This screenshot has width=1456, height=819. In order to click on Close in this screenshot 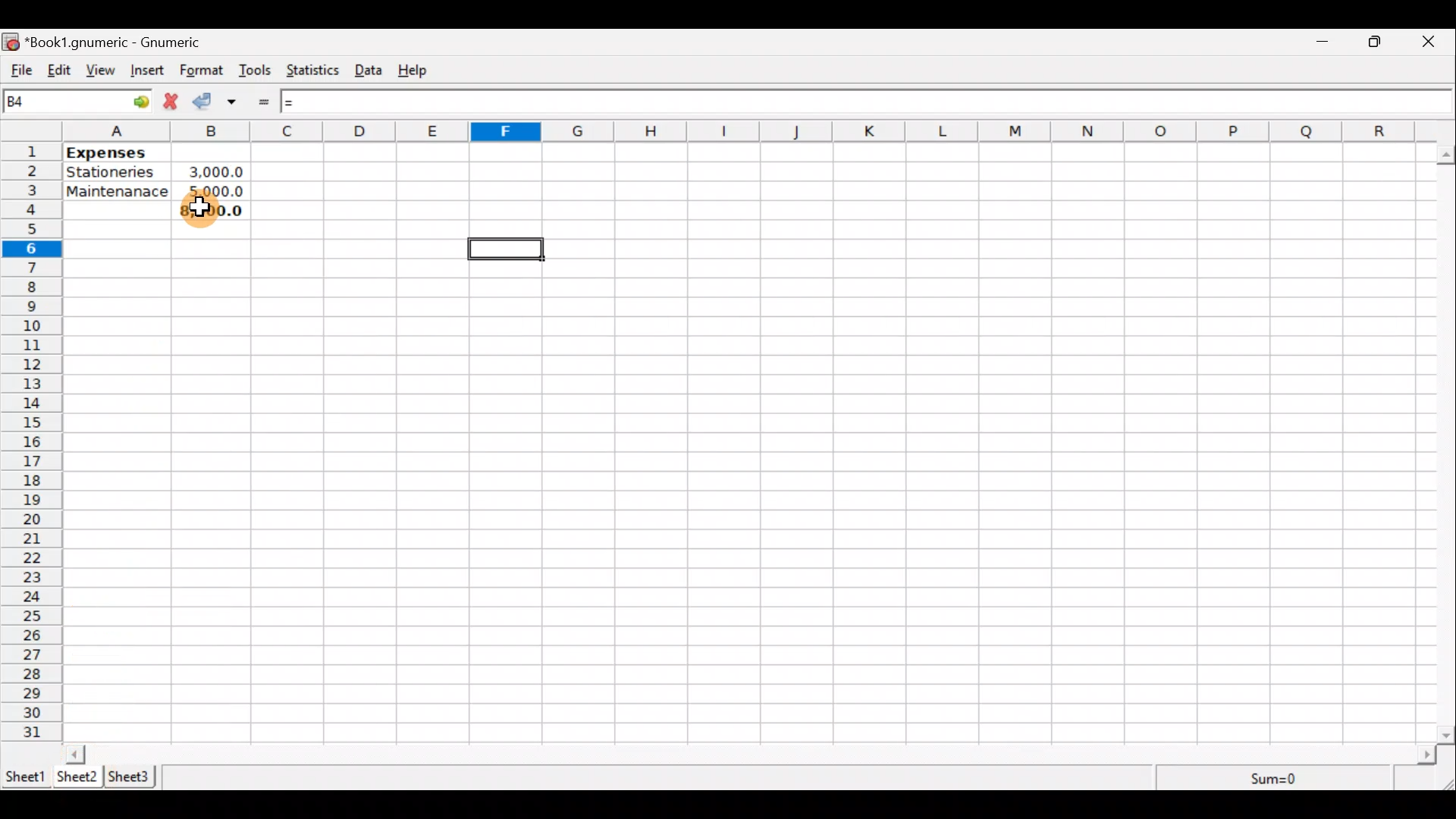, I will do `click(1435, 42)`.